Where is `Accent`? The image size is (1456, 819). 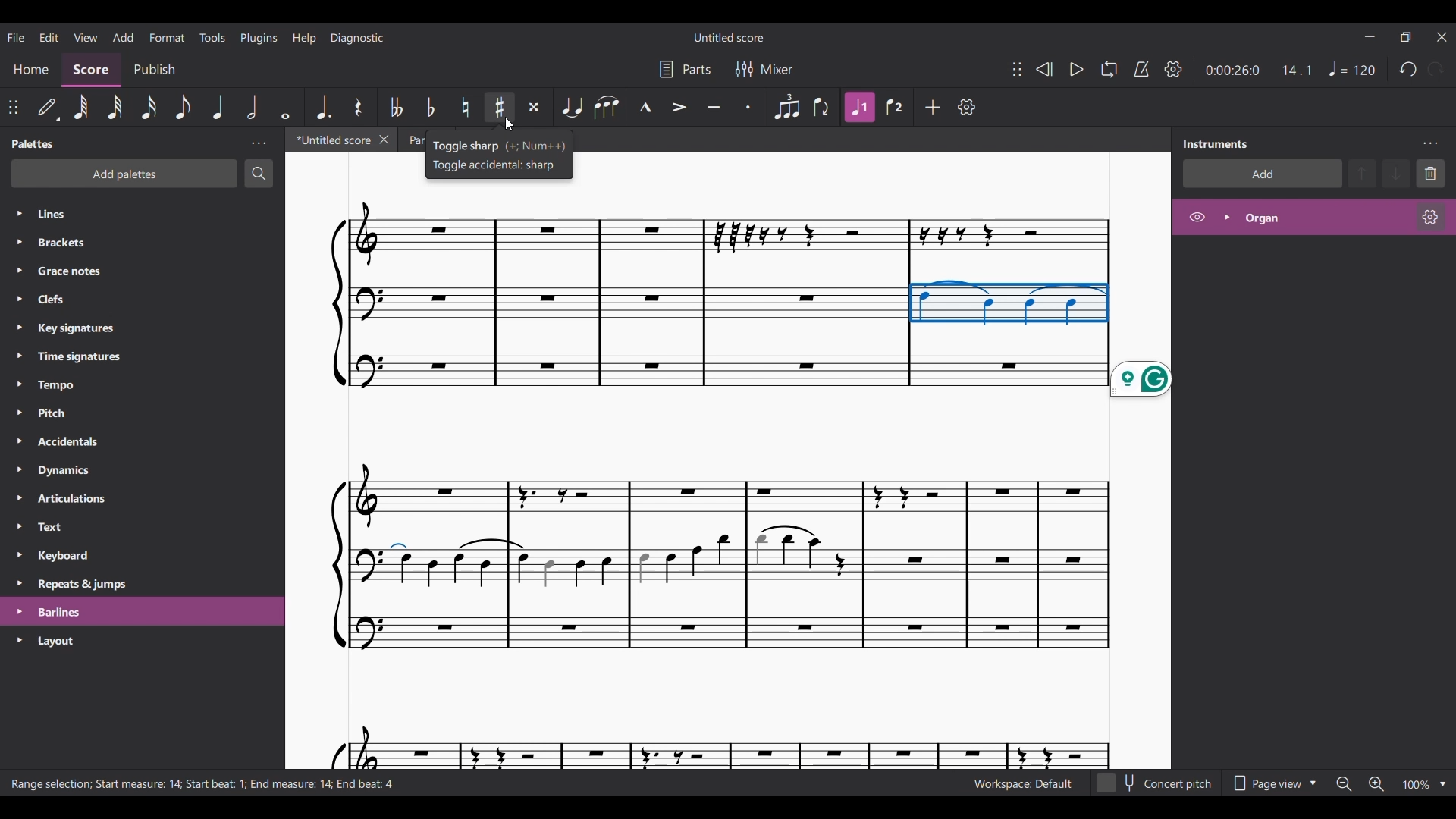 Accent is located at coordinates (678, 108).